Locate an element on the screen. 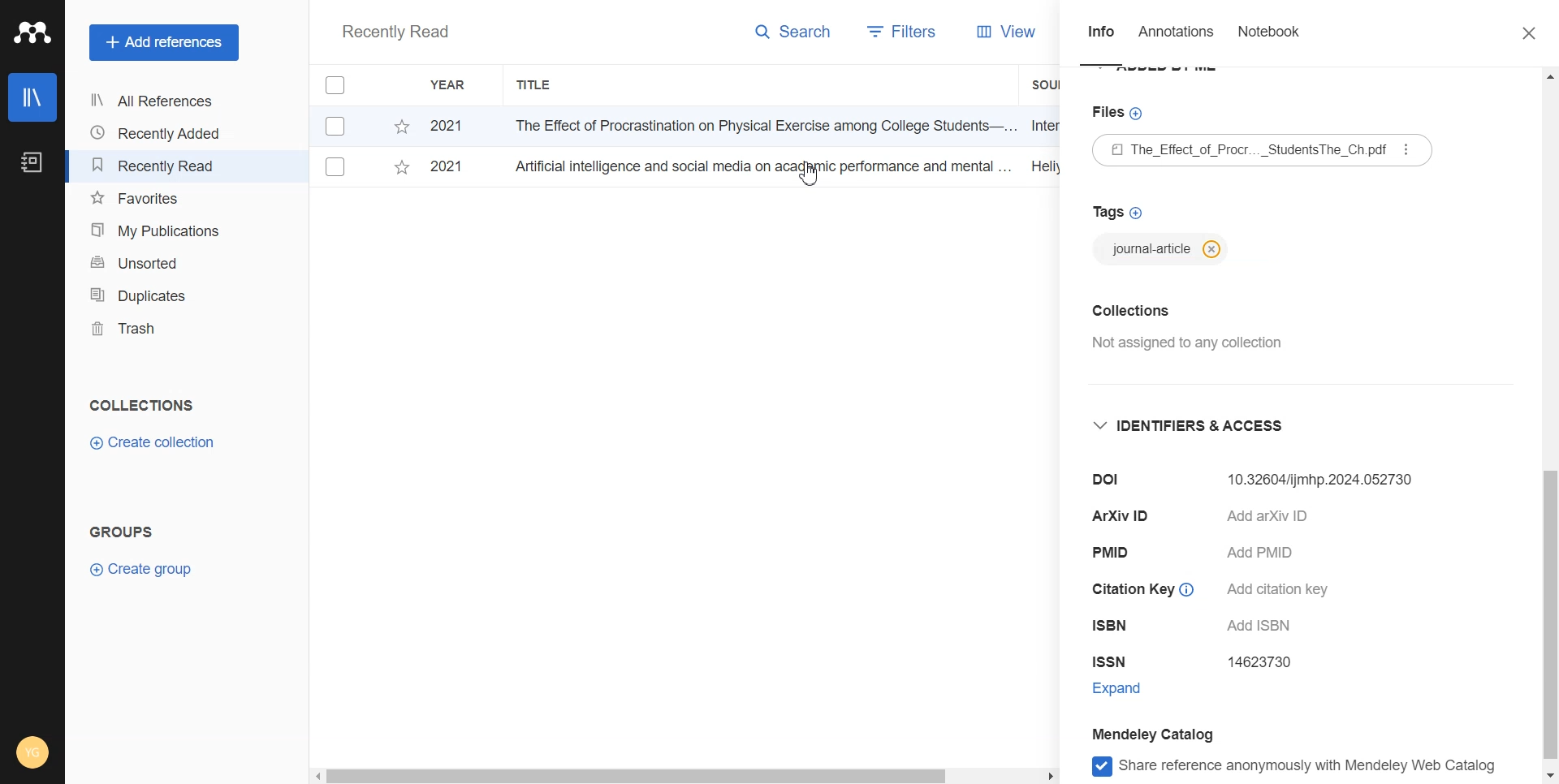 The image size is (1559, 784). Create Collection is located at coordinates (154, 443).